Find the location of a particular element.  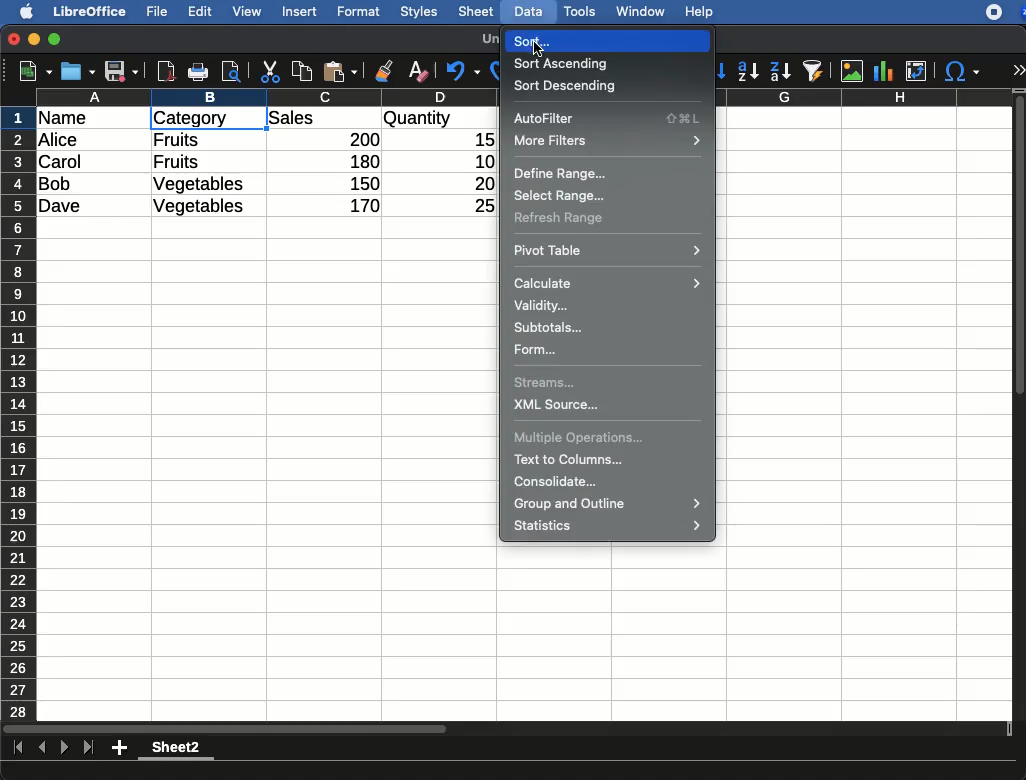

new is located at coordinates (31, 70).